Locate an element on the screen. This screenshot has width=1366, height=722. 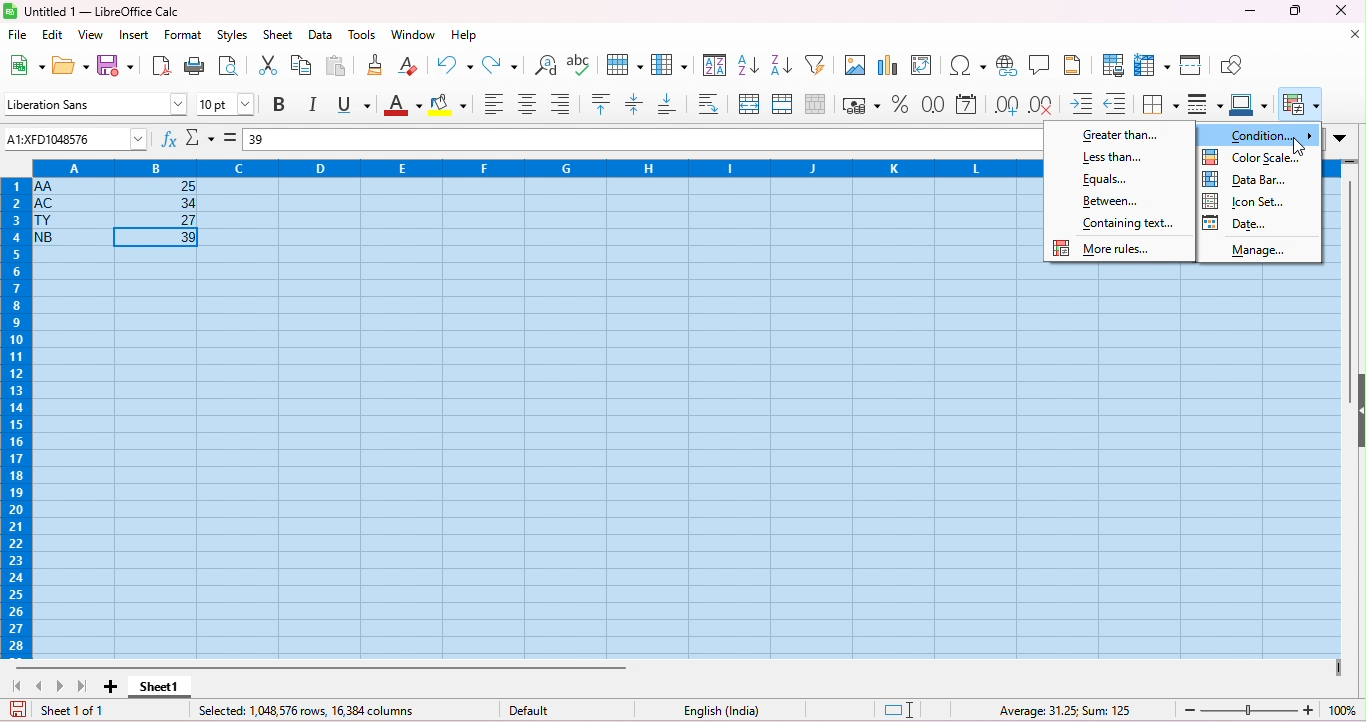
font color is located at coordinates (400, 106).